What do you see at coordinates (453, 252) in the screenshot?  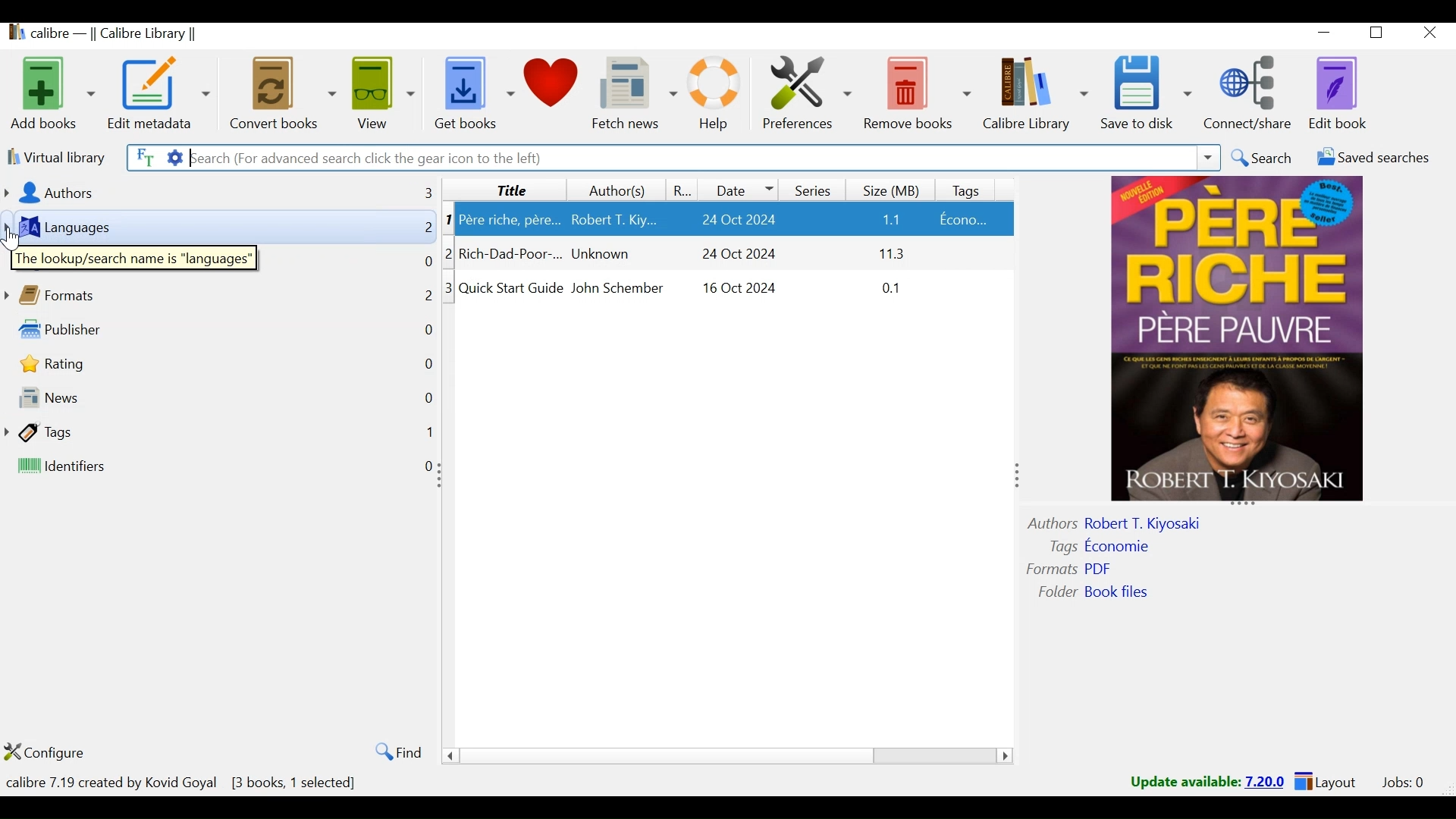 I see `2` at bounding box center [453, 252].